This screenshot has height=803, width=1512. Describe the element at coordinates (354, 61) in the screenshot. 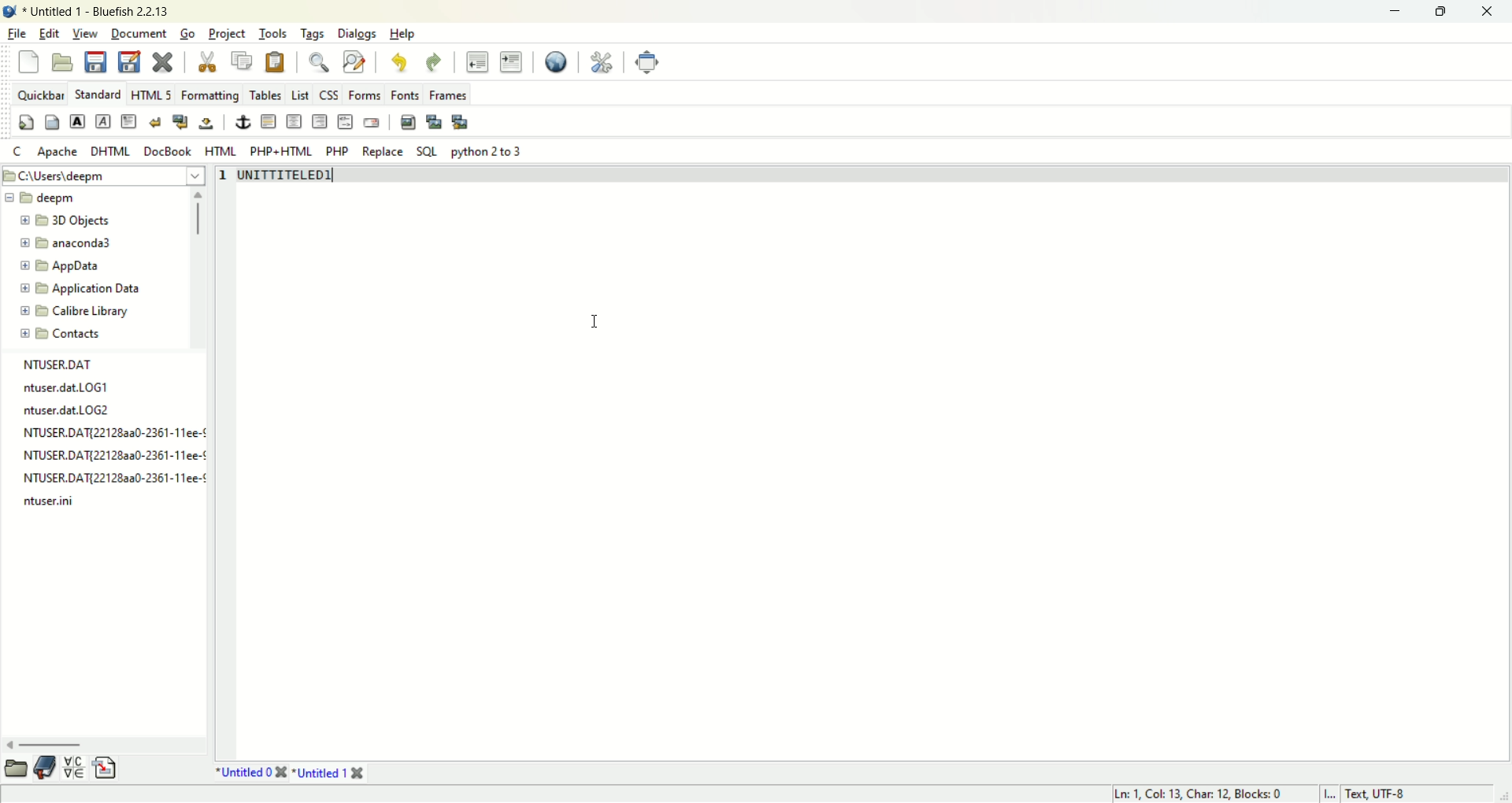

I see `advanced find and replace` at that location.